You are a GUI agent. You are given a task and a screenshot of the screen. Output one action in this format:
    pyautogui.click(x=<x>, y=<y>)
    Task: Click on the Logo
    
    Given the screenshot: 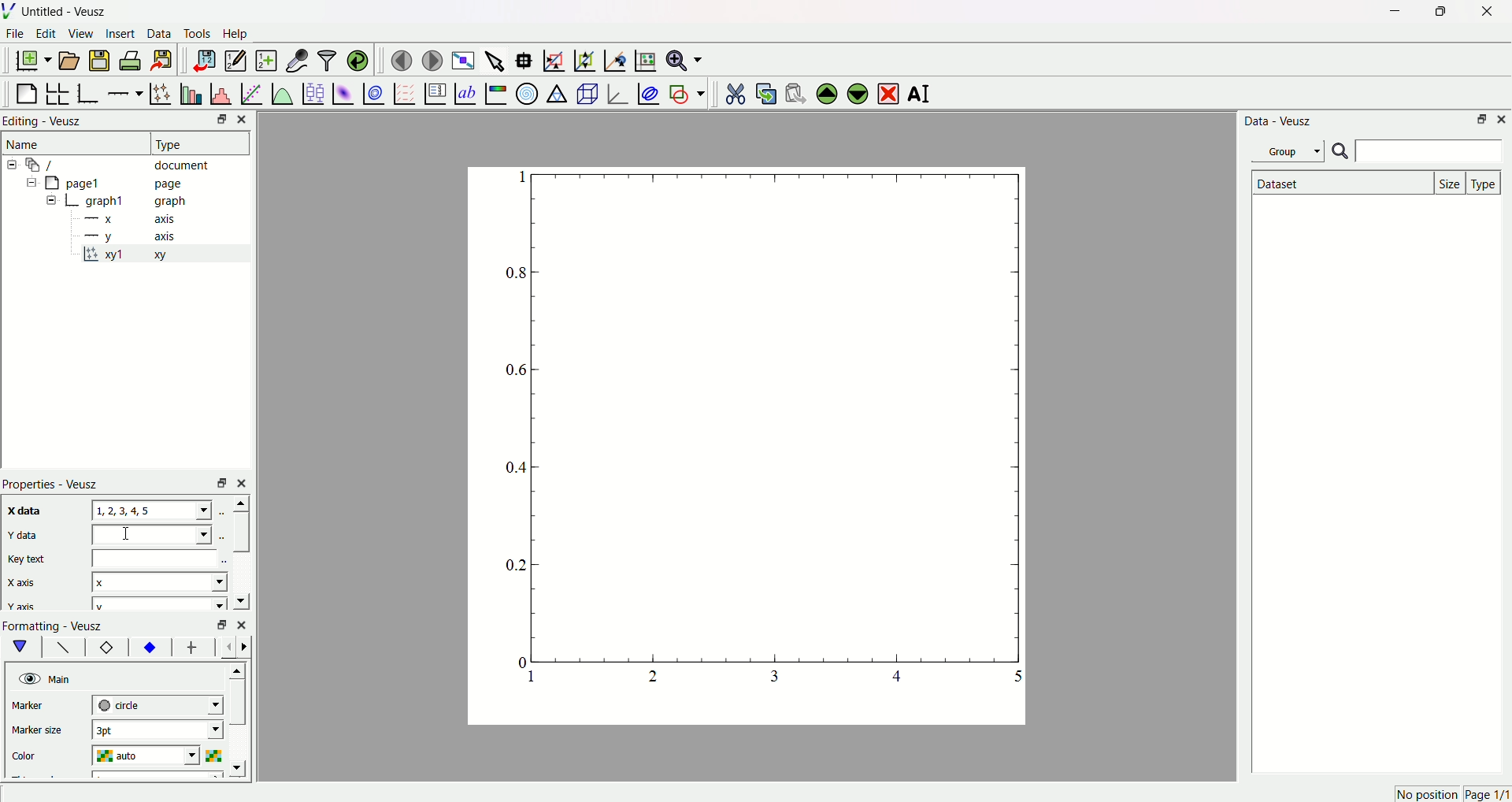 What is the action you would take?
    pyautogui.click(x=12, y=12)
    